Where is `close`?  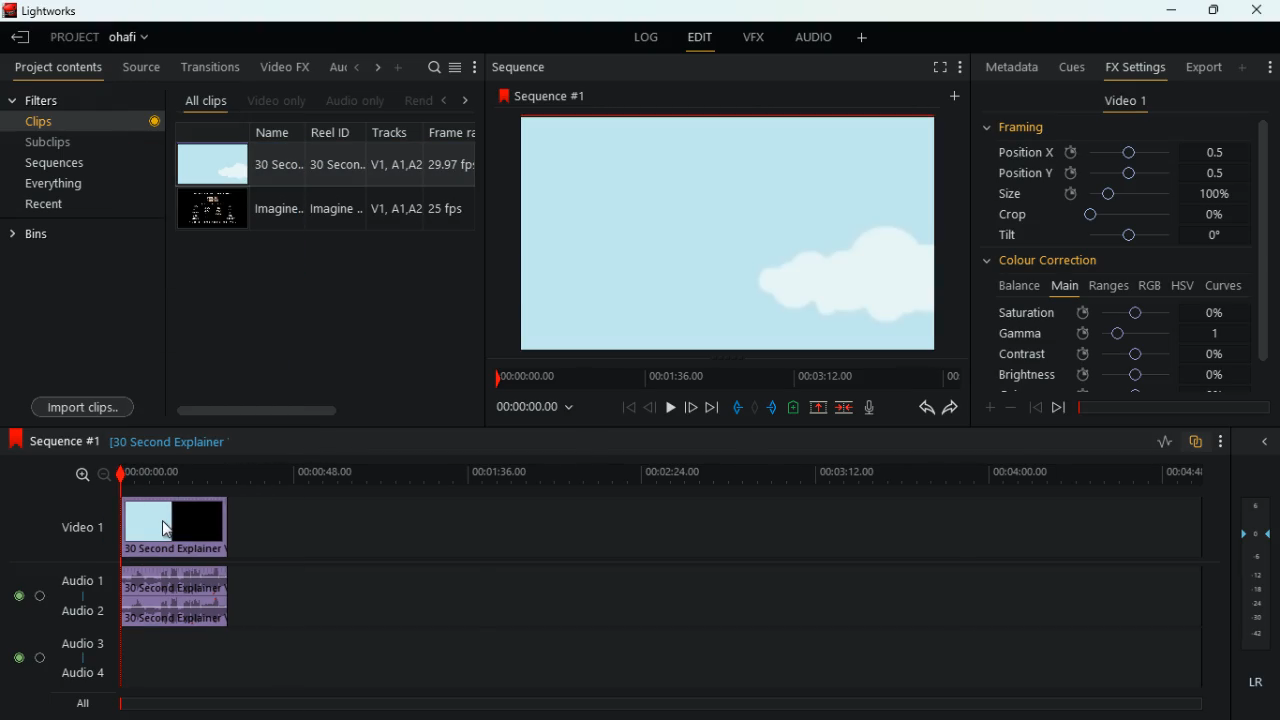 close is located at coordinates (1261, 10).